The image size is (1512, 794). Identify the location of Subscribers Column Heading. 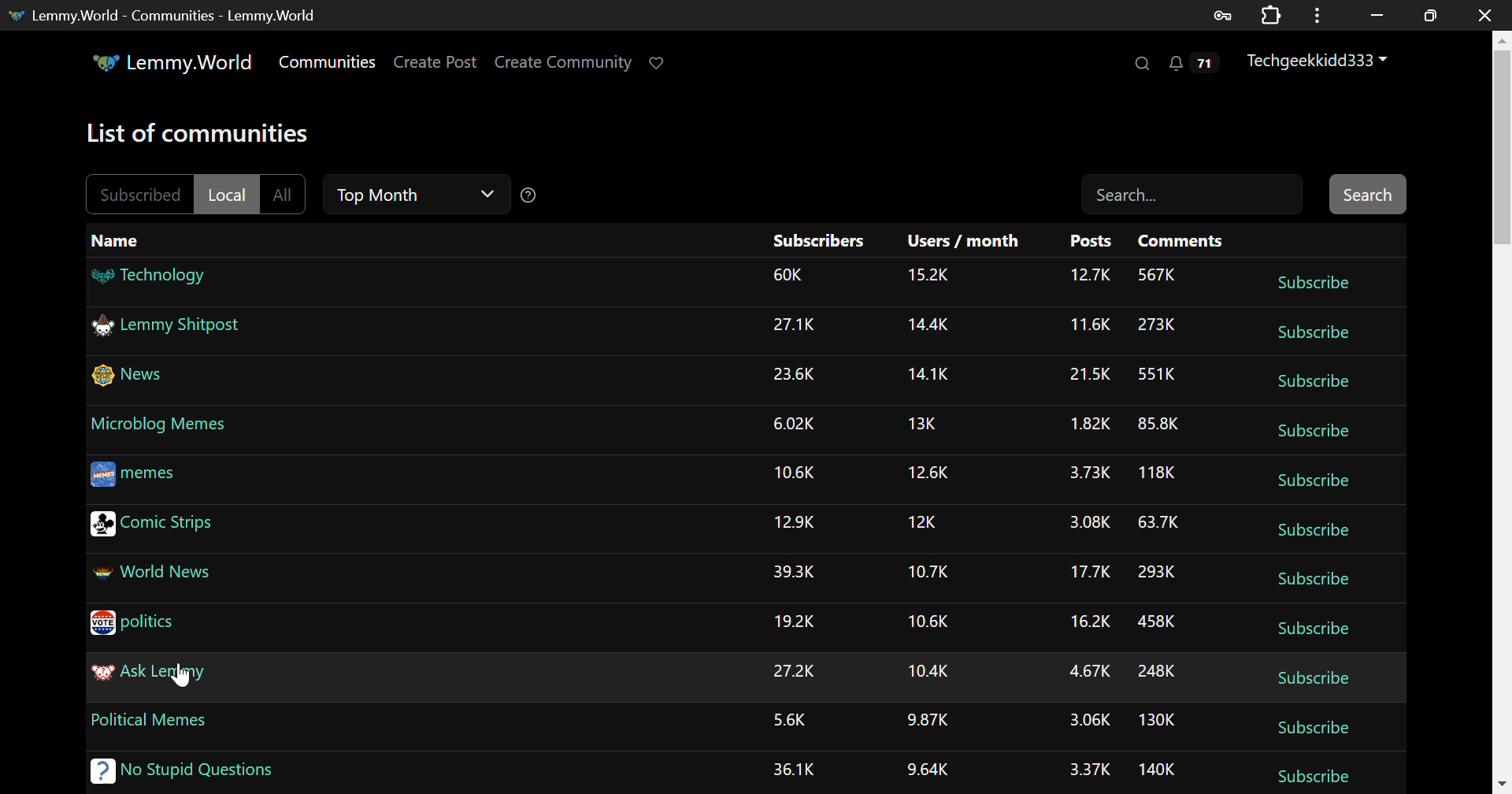
(828, 237).